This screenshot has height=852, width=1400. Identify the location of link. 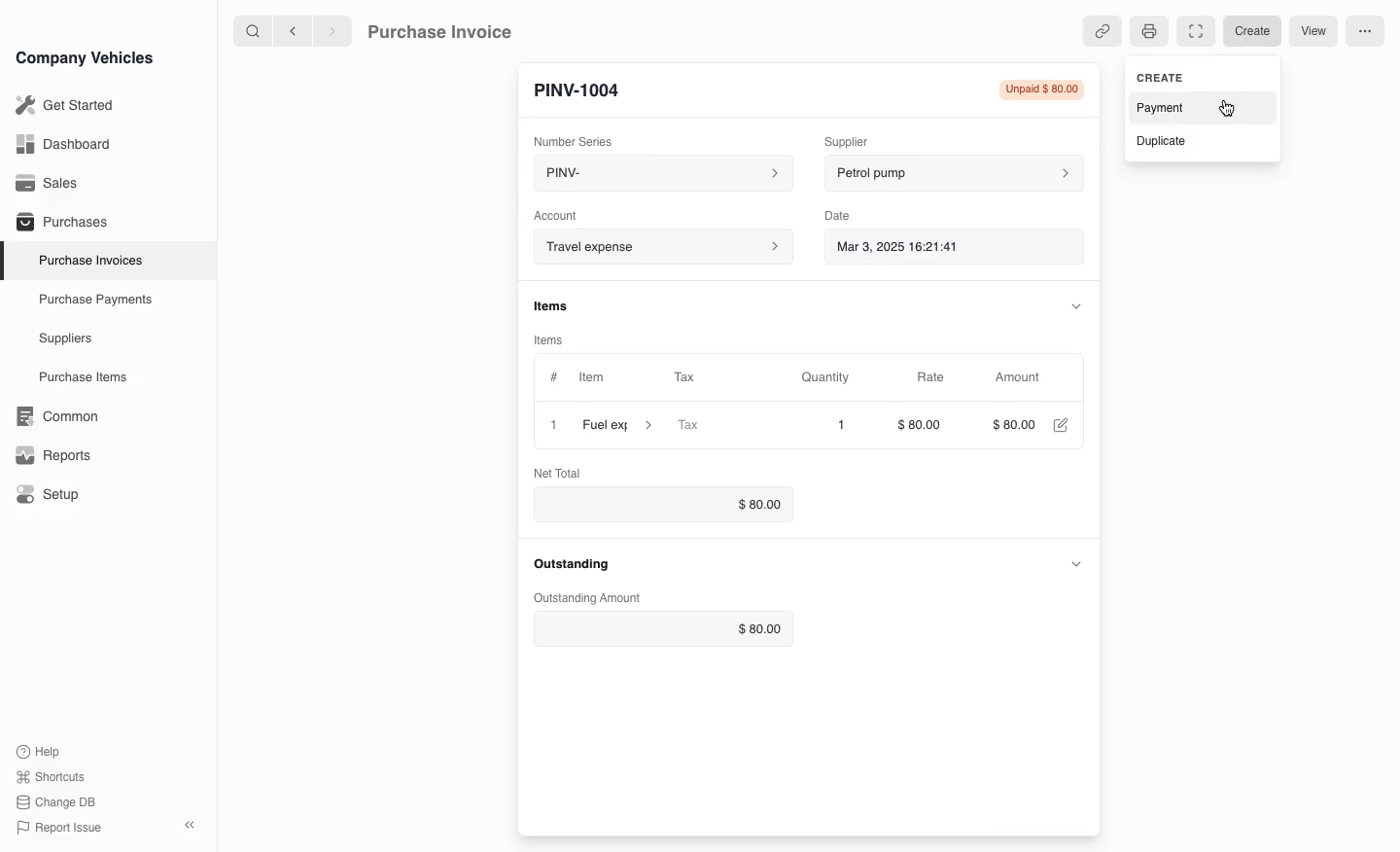
(1101, 30).